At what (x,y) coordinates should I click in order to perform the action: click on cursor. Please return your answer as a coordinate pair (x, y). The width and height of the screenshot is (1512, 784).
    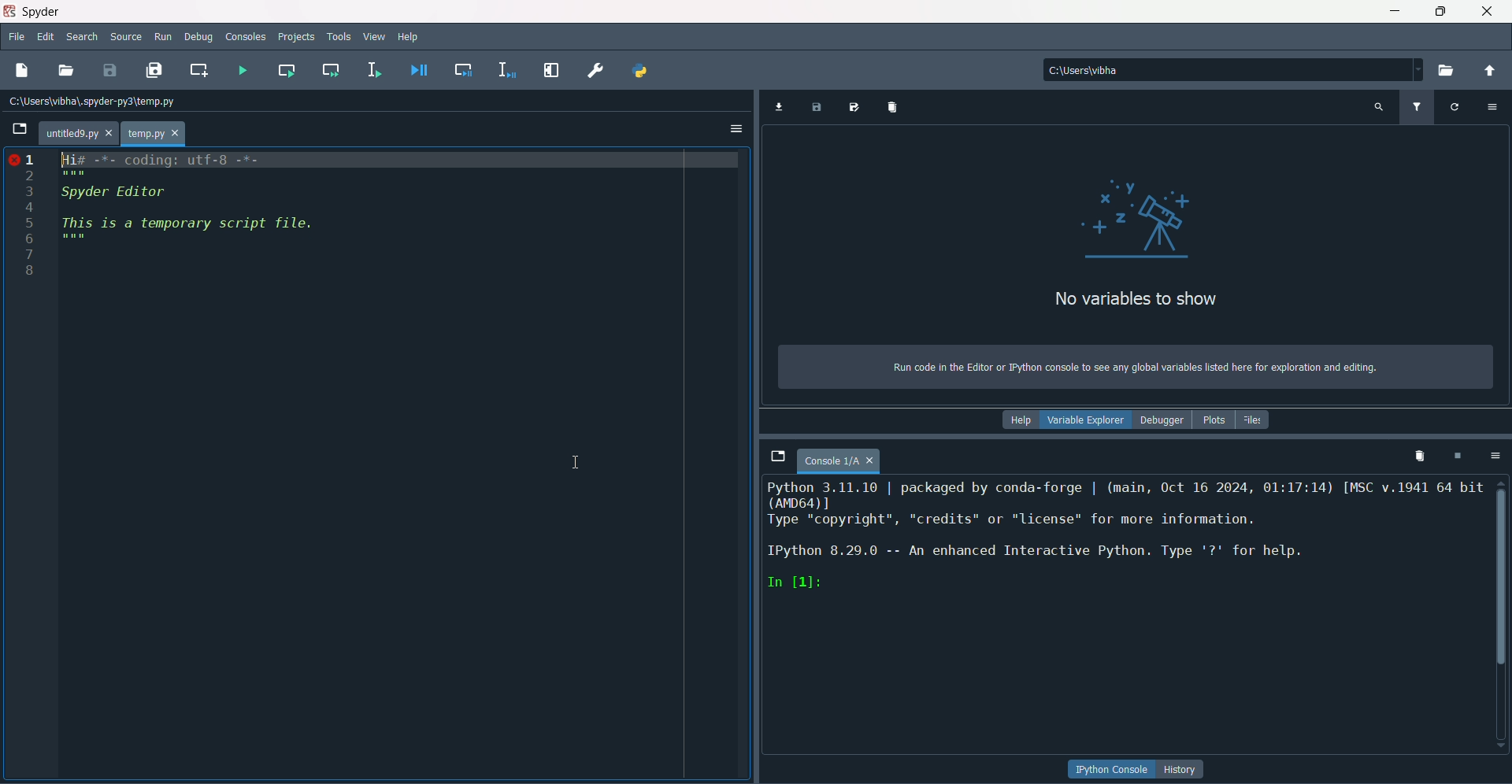
    Looking at the image, I should click on (577, 461).